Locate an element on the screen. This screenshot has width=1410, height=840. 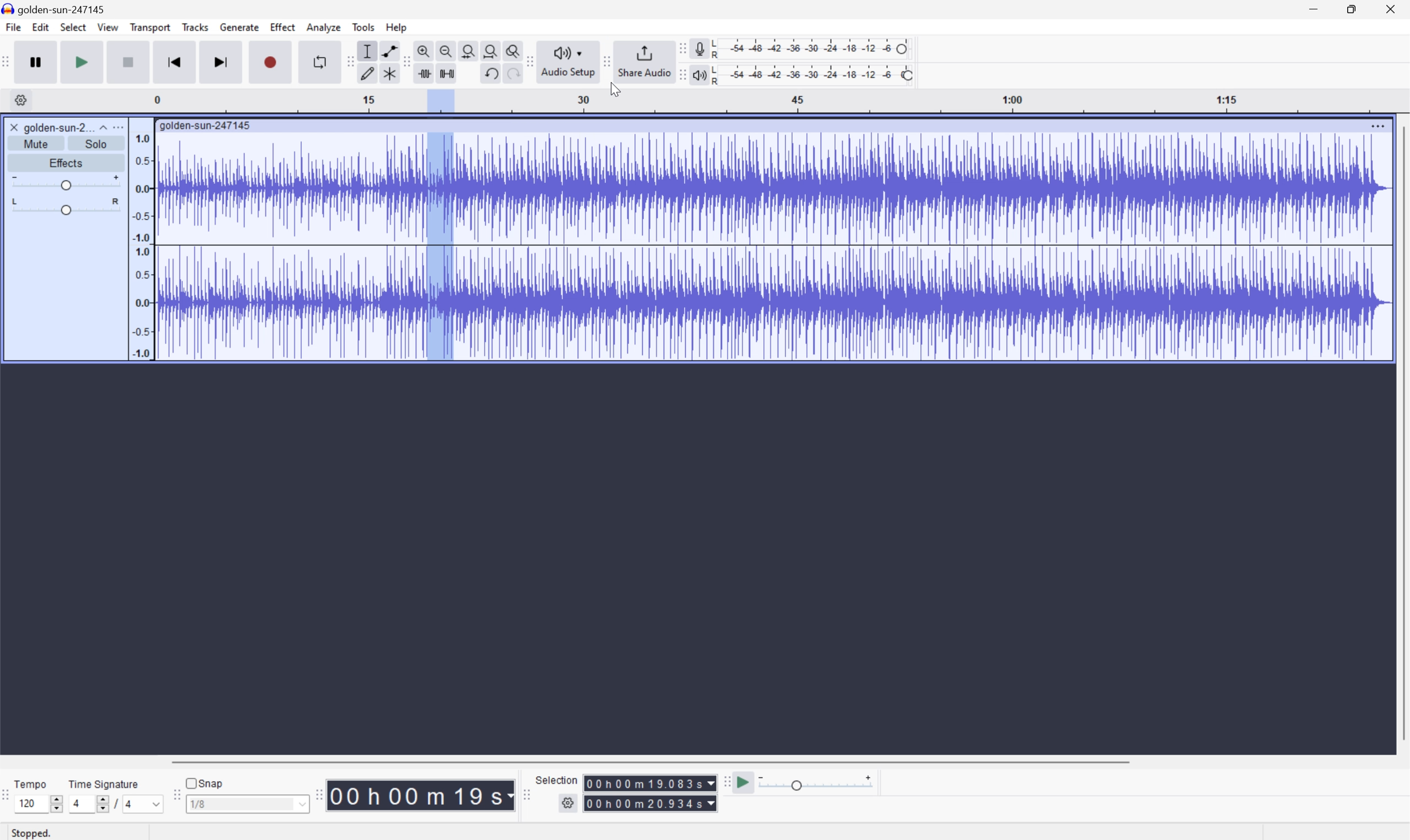
Stopped is located at coordinates (37, 834).